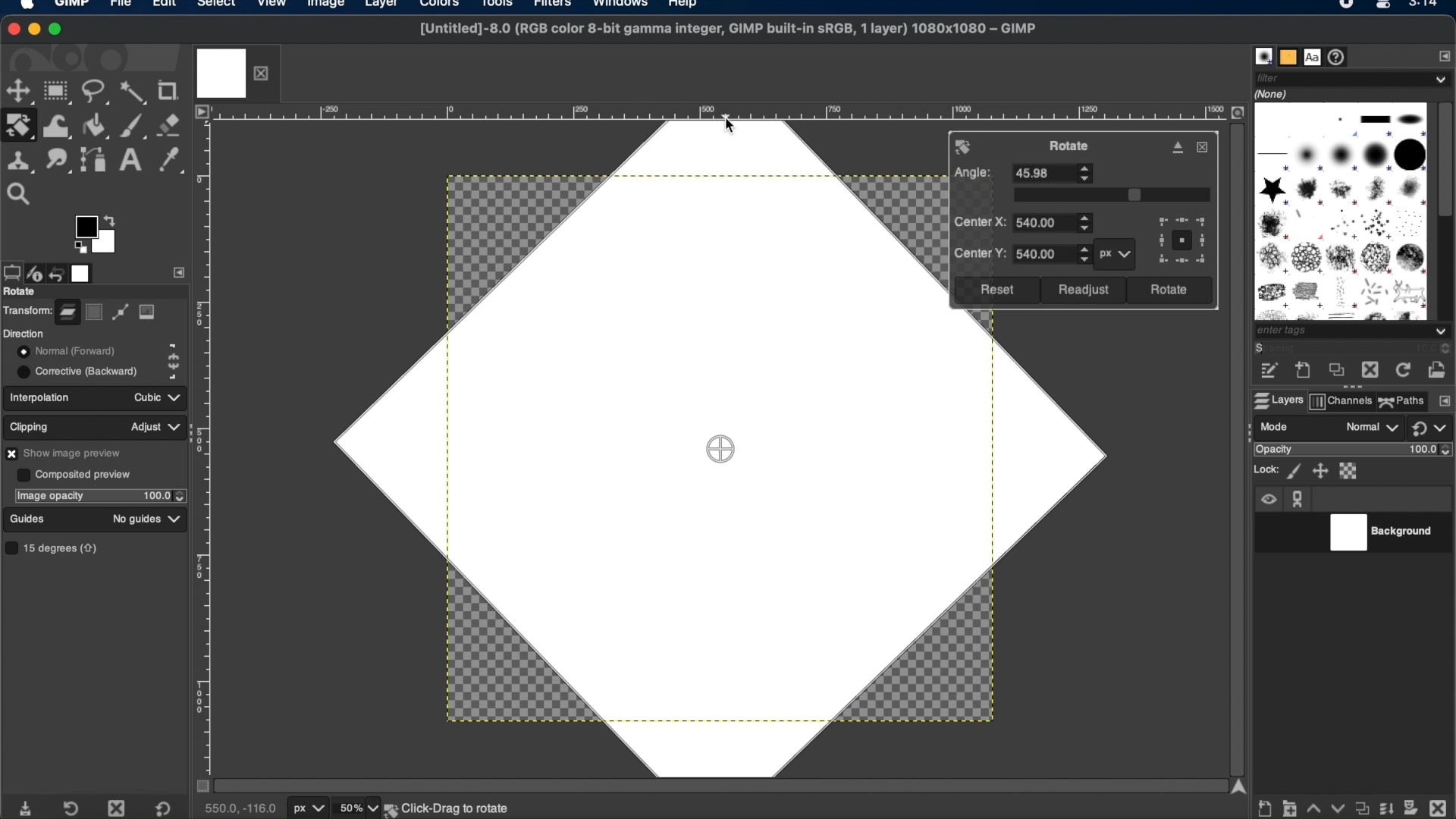 This screenshot has width=1456, height=819. I want to click on minimize, so click(36, 30).